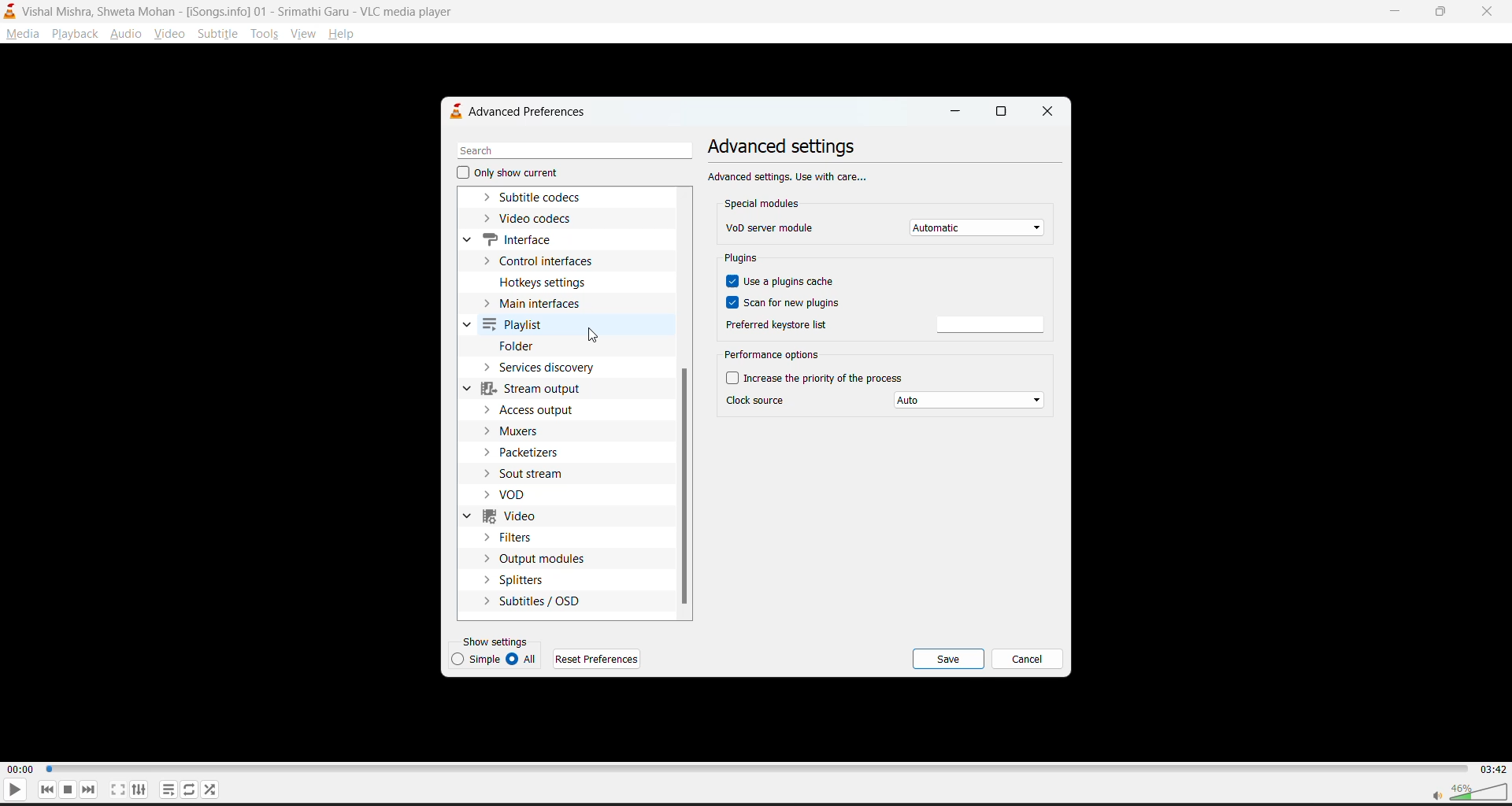 The image size is (1512, 806). What do you see at coordinates (970, 402) in the screenshot?
I see `auto` at bounding box center [970, 402].